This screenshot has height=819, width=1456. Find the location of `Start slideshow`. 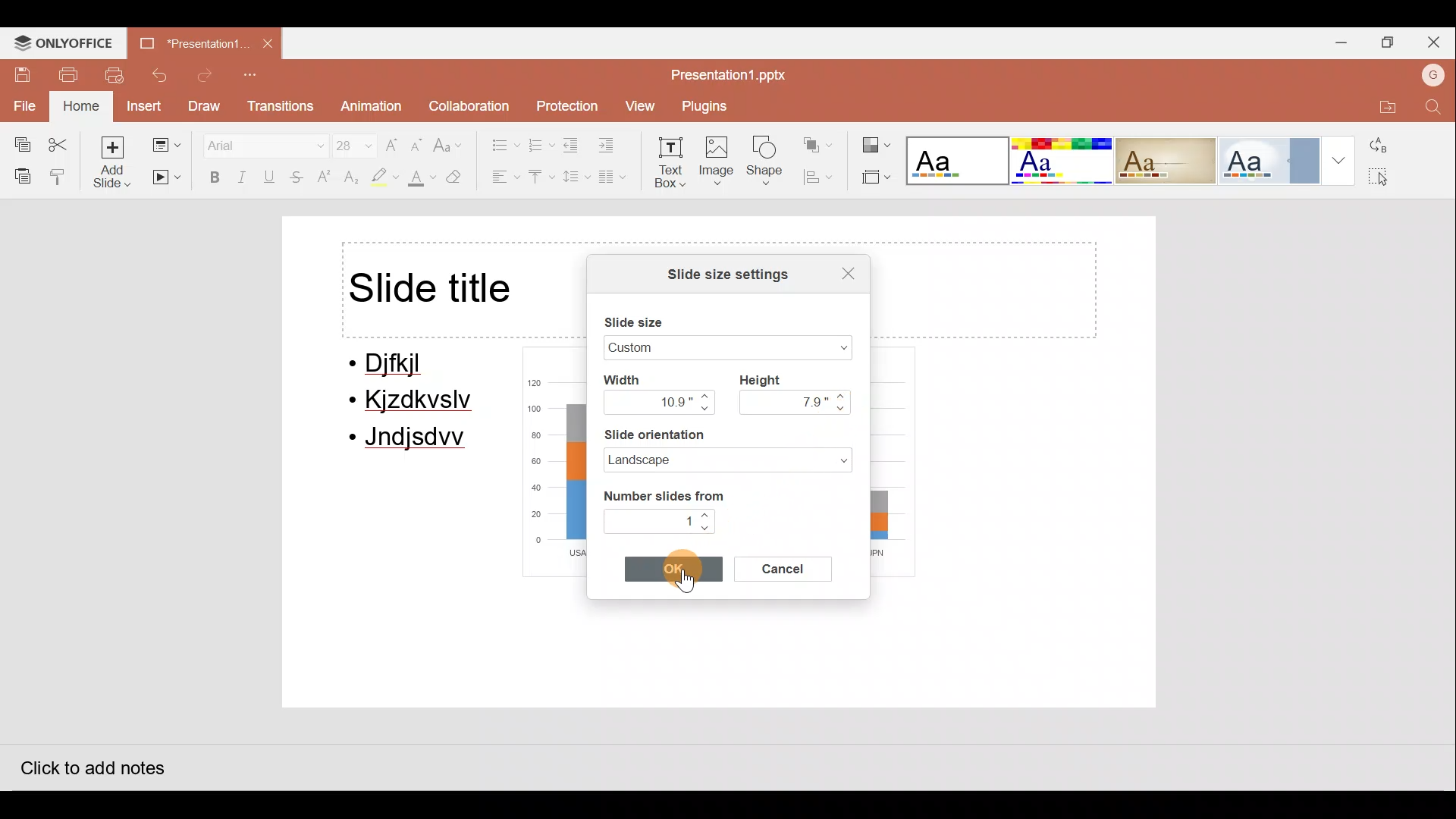

Start slideshow is located at coordinates (167, 178).